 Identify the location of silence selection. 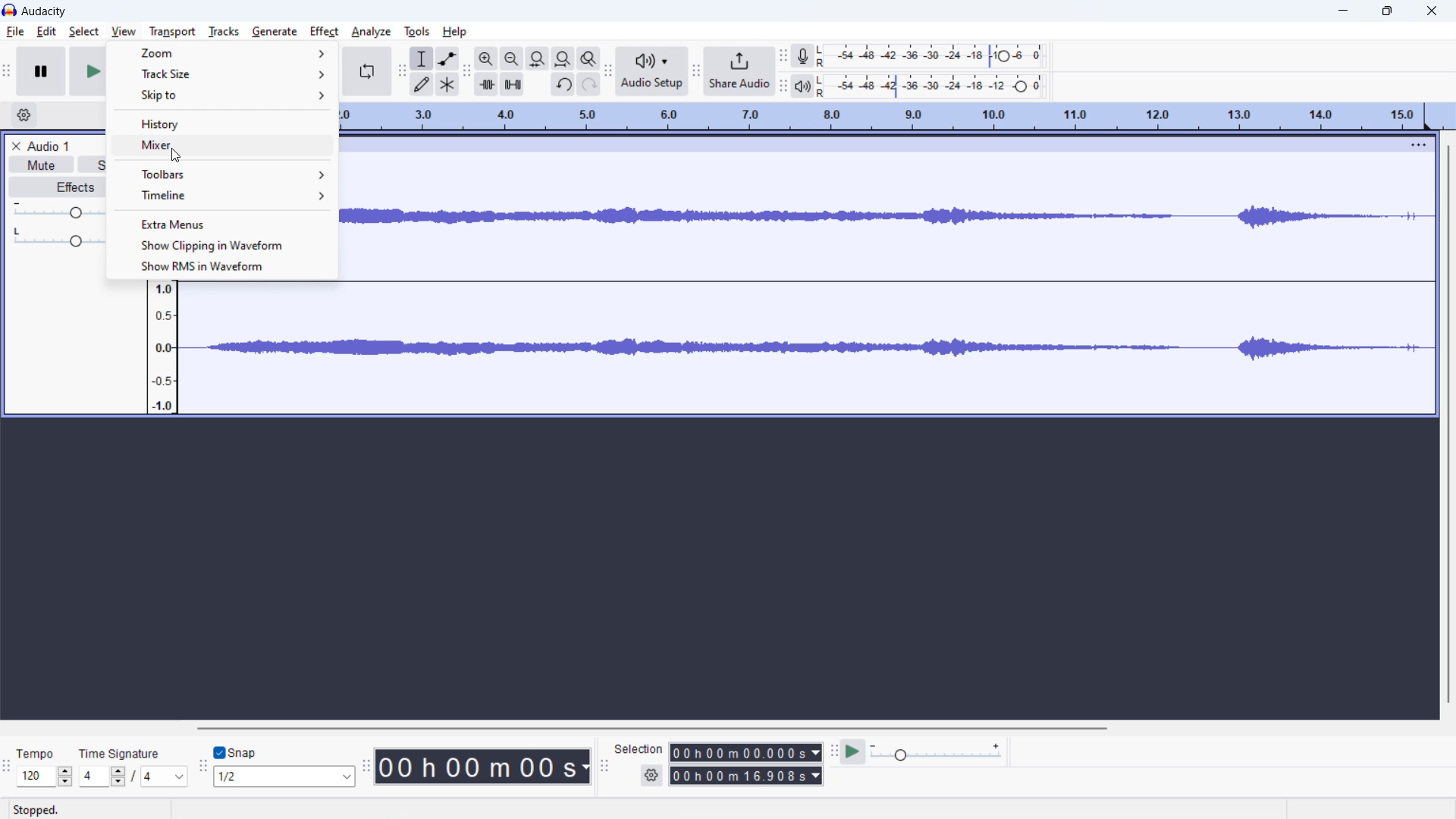
(513, 83).